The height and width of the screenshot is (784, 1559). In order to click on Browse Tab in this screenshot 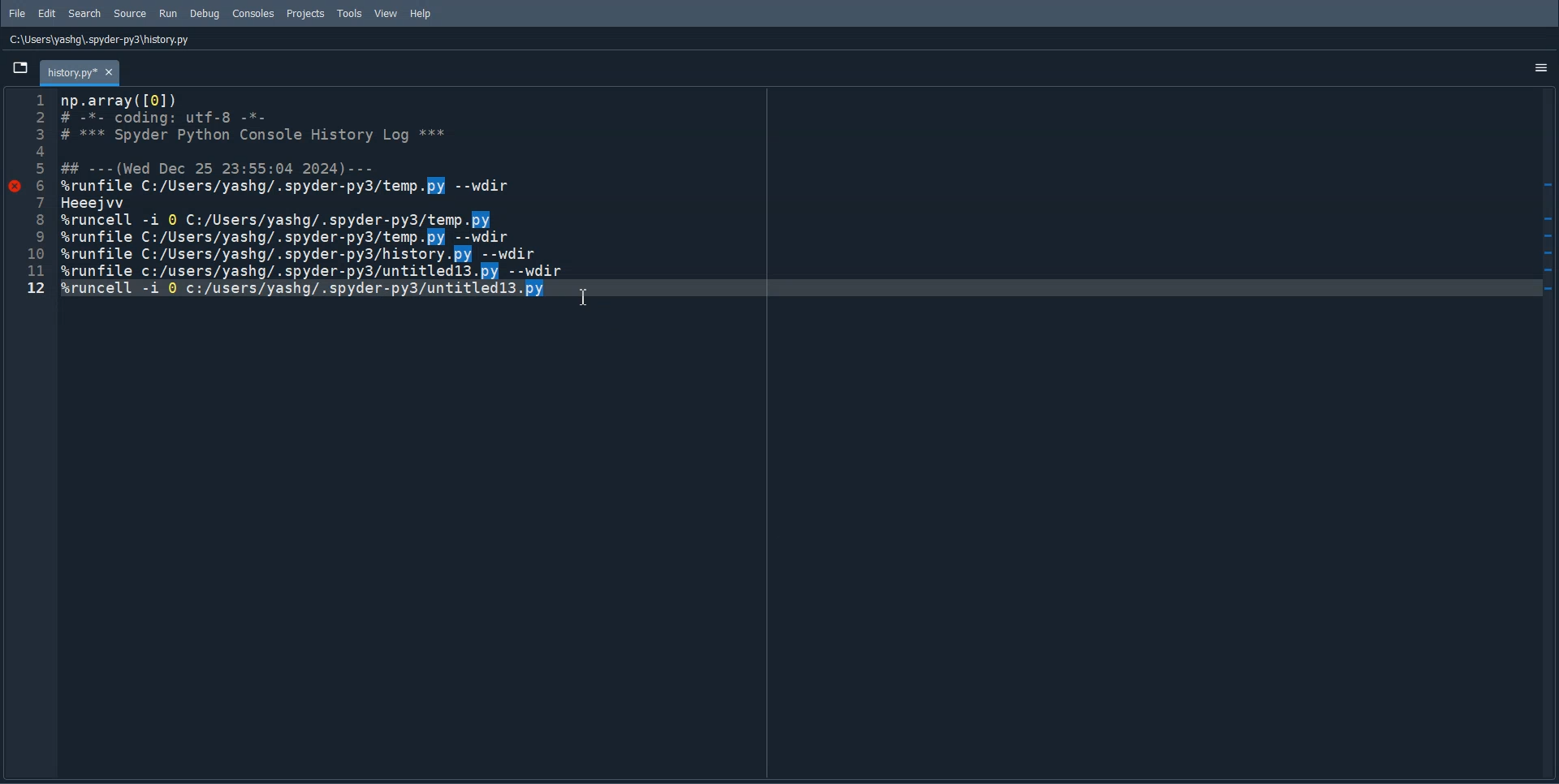, I will do `click(19, 67)`.